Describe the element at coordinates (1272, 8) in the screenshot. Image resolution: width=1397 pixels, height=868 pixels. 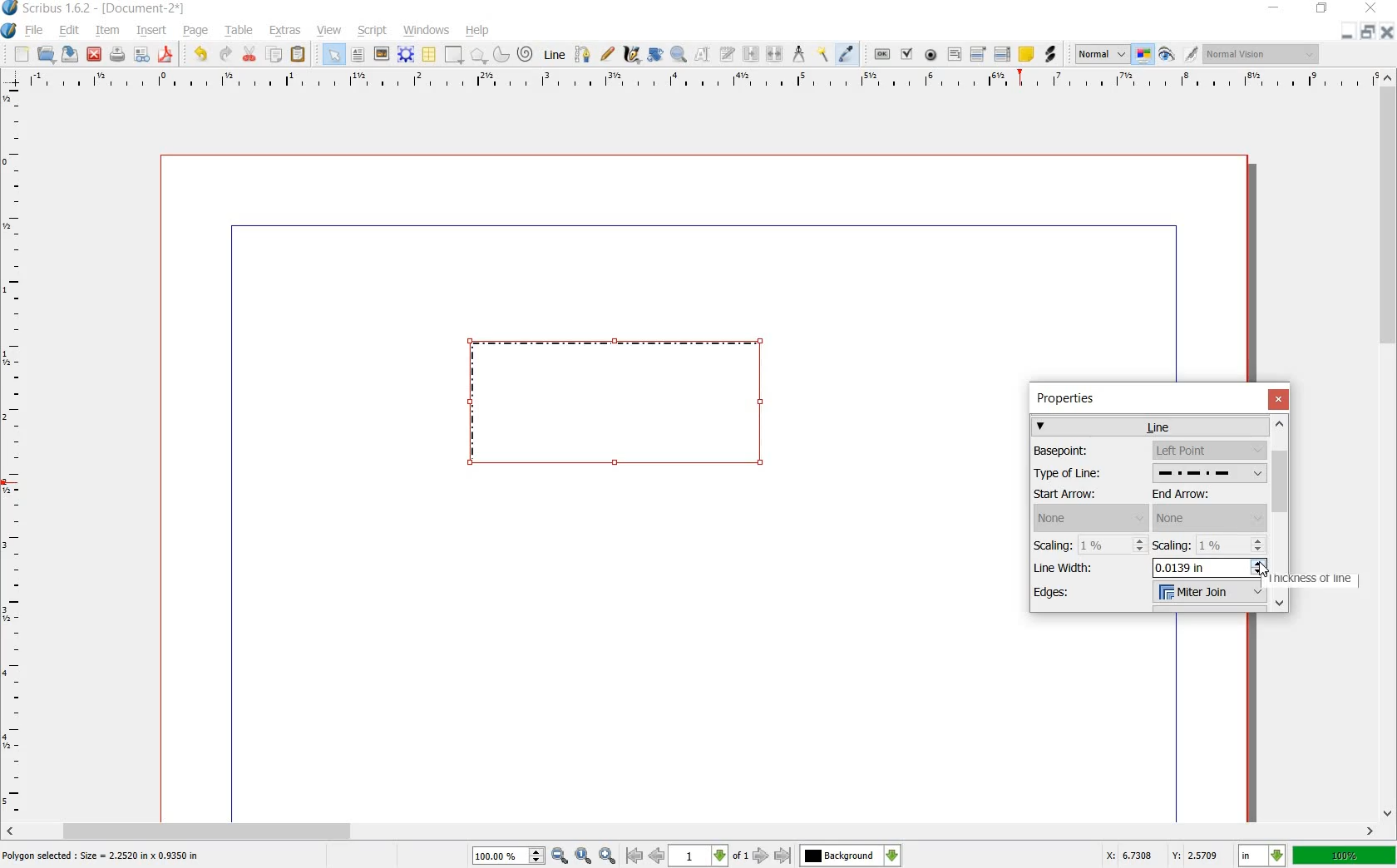
I see `MINIMIZE` at that location.